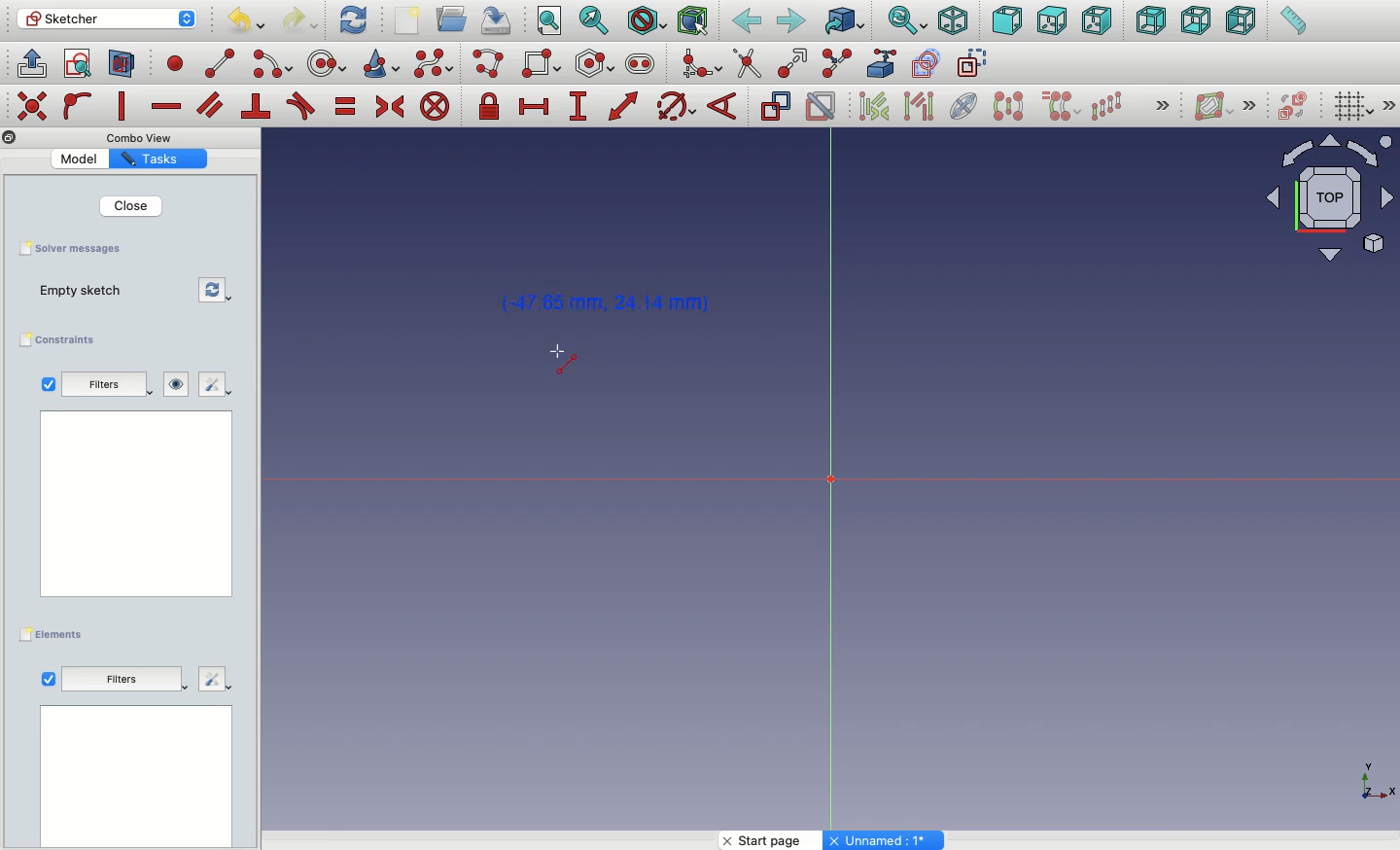  I want to click on , so click(214, 681).